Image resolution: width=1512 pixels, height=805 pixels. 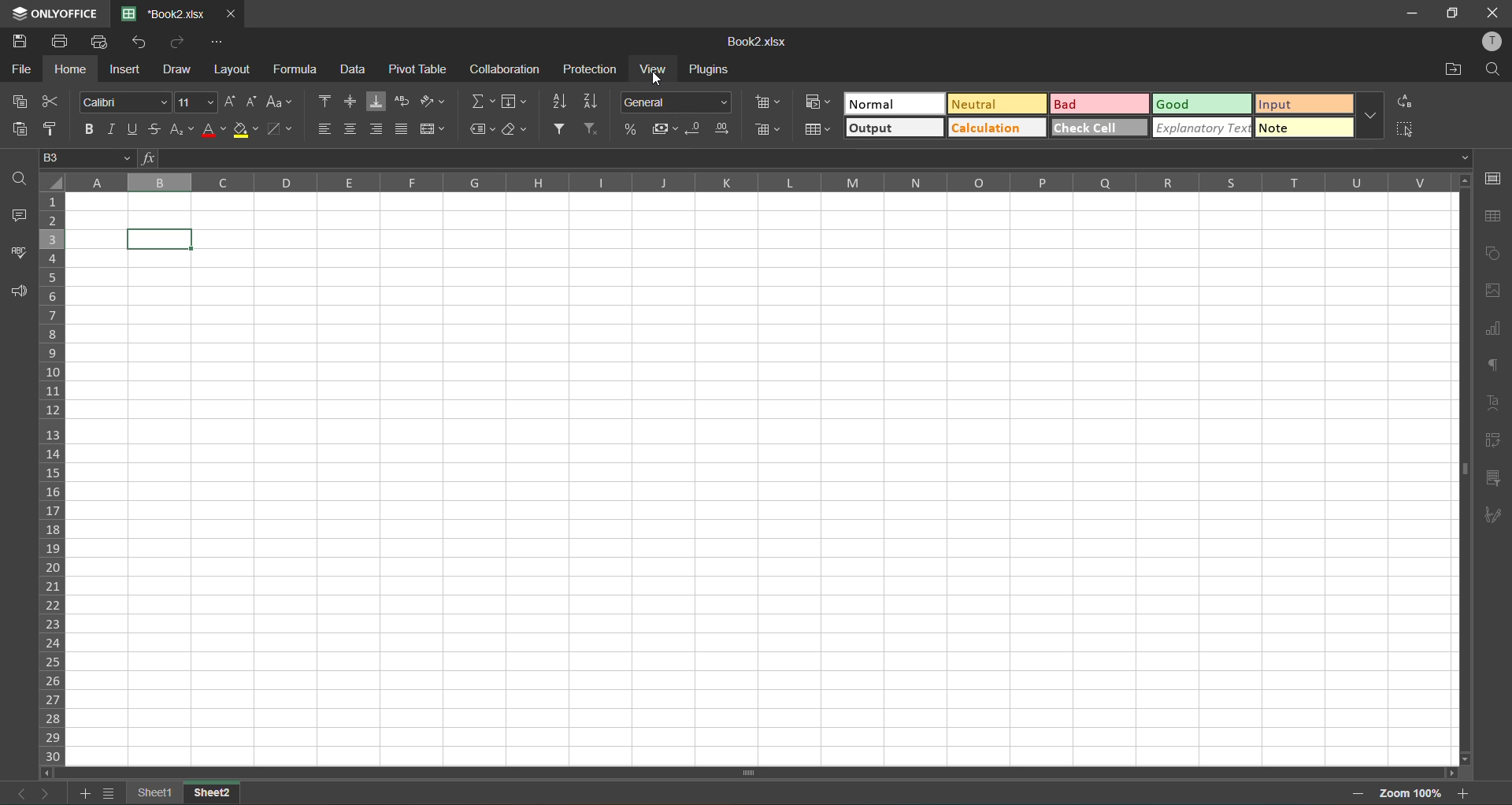 I want to click on customize quick access toolbar, so click(x=217, y=42).